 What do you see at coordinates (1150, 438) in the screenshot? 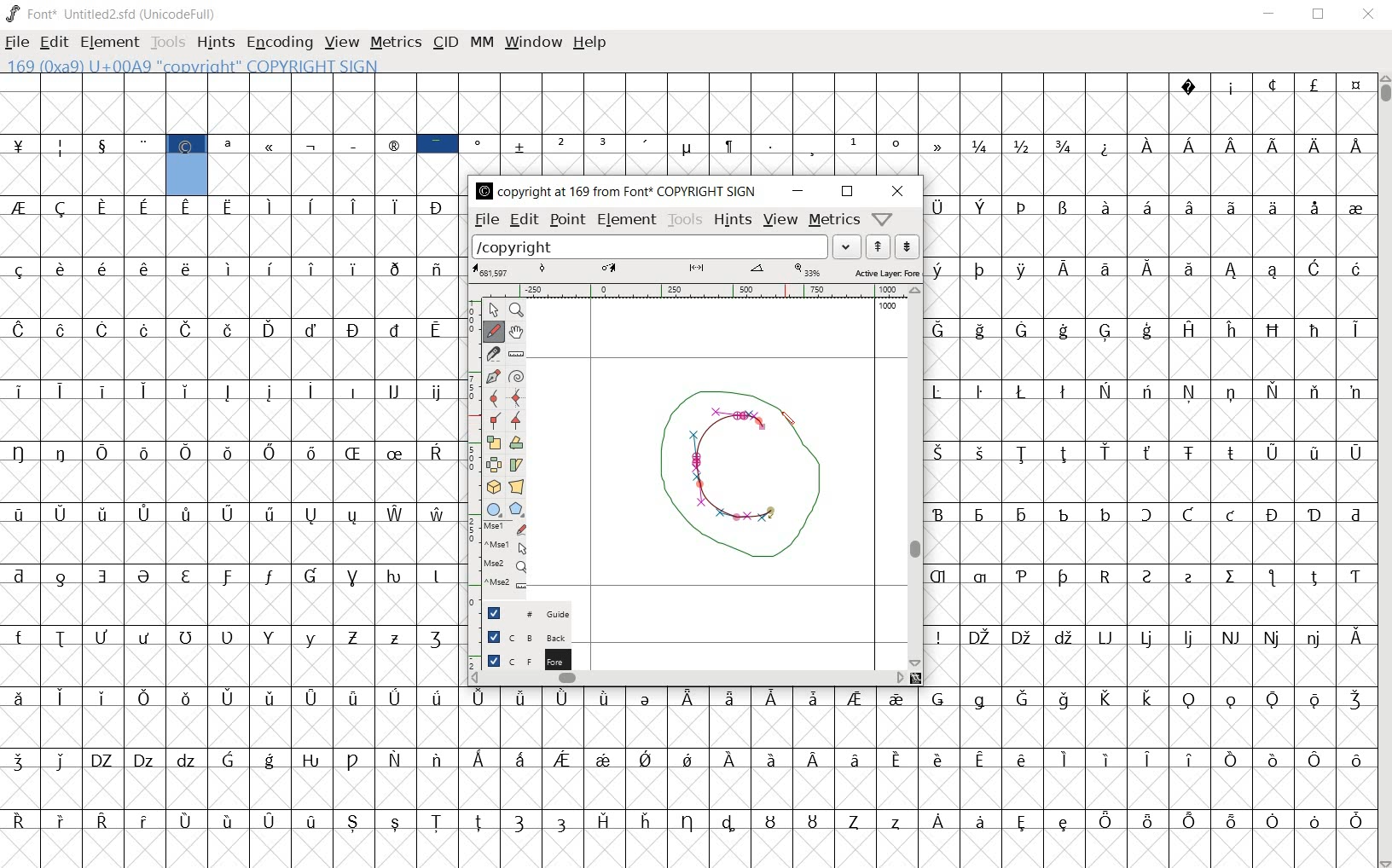
I see `glyph characters` at bounding box center [1150, 438].